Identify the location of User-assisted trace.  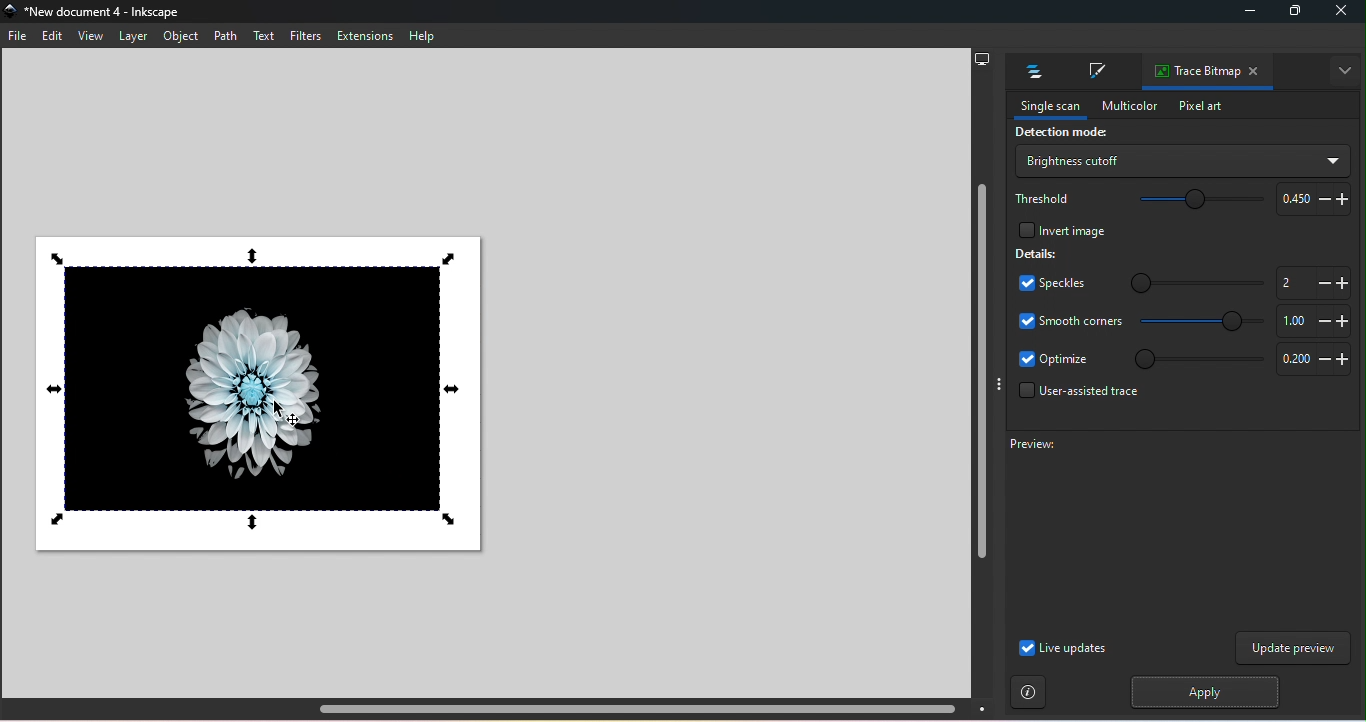
(1074, 396).